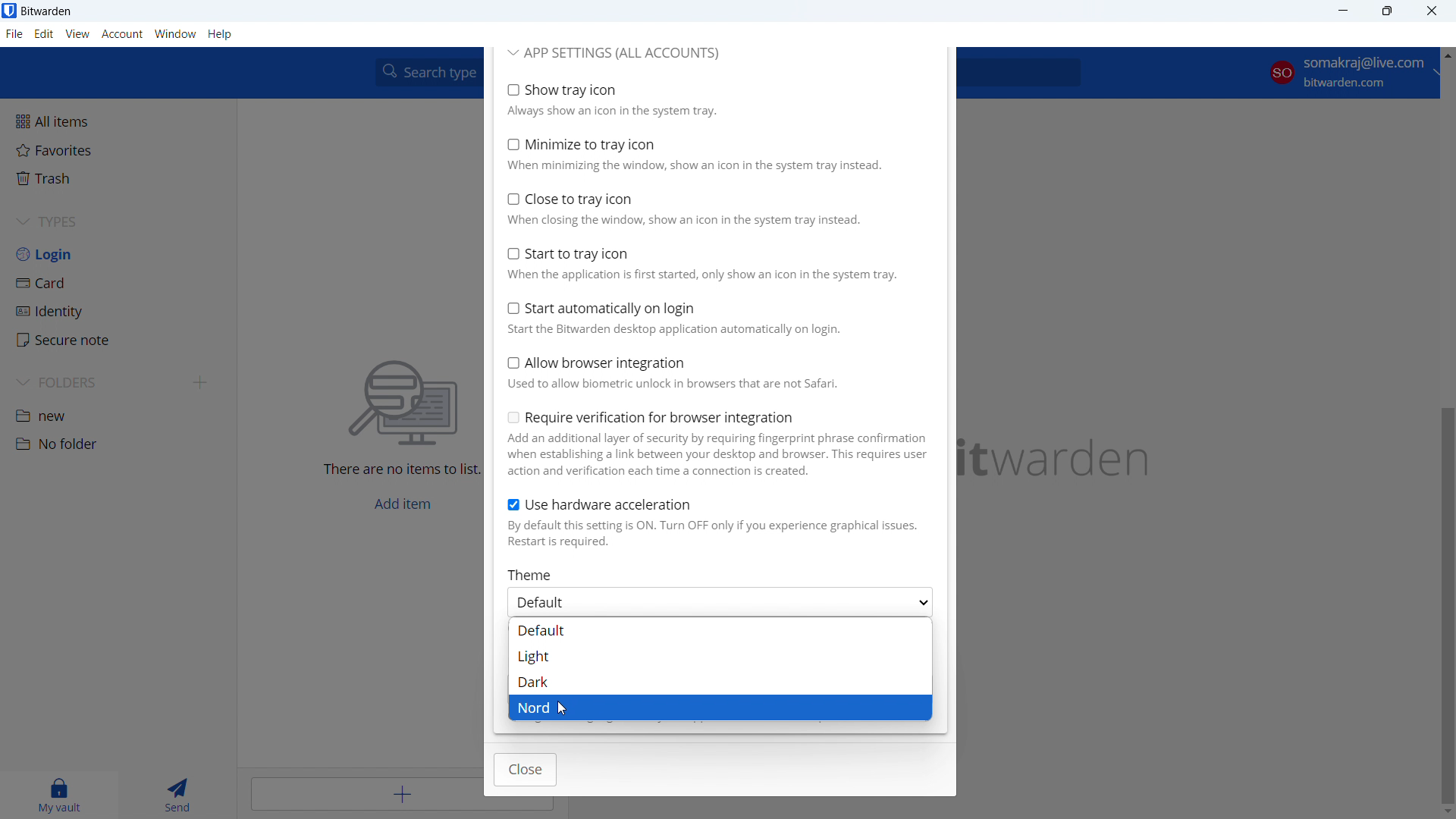  Describe the element at coordinates (77, 34) in the screenshot. I see `view` at that location.